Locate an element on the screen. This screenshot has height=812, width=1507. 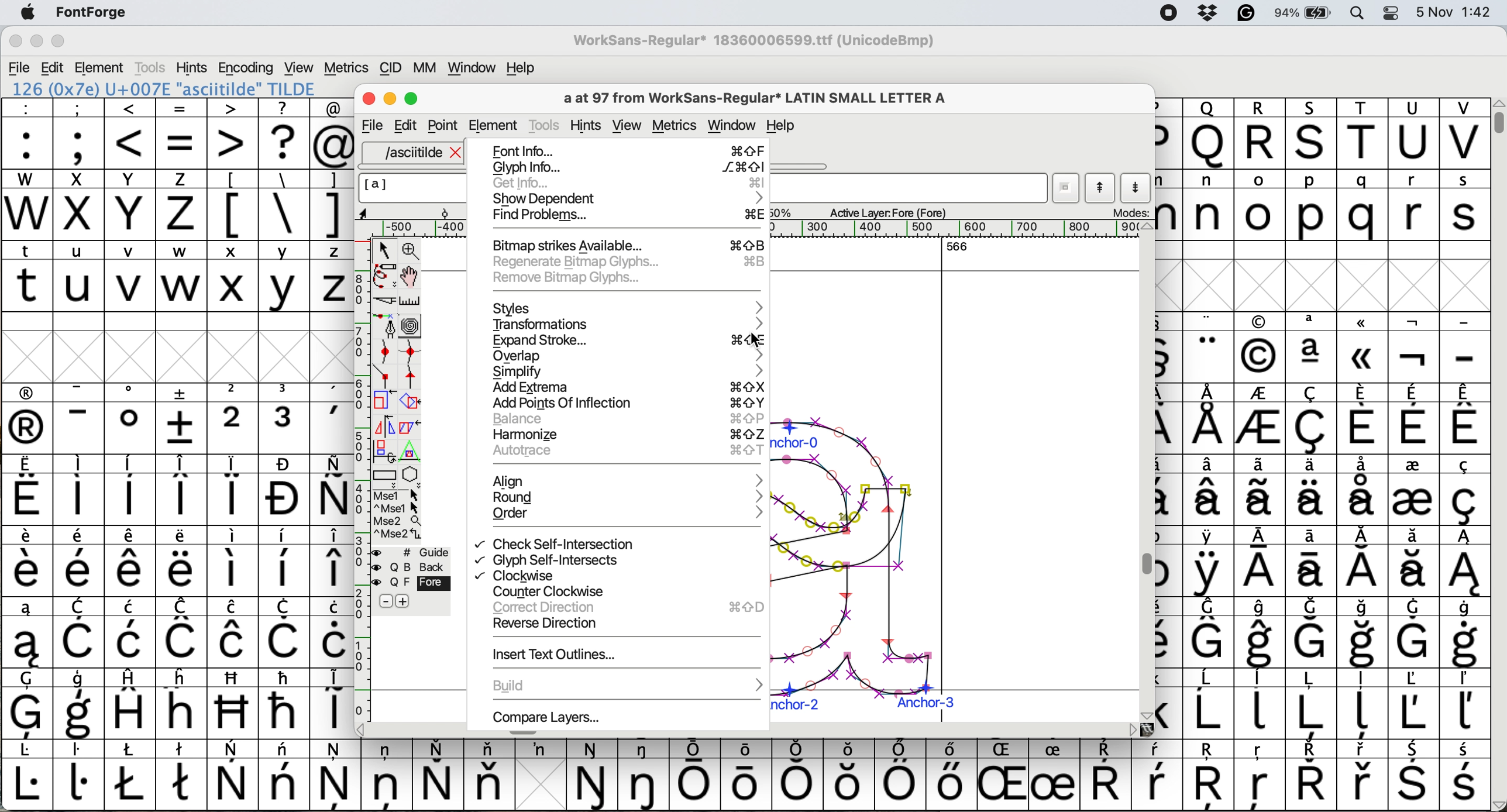
symbol is located at coordinates (130, 775).